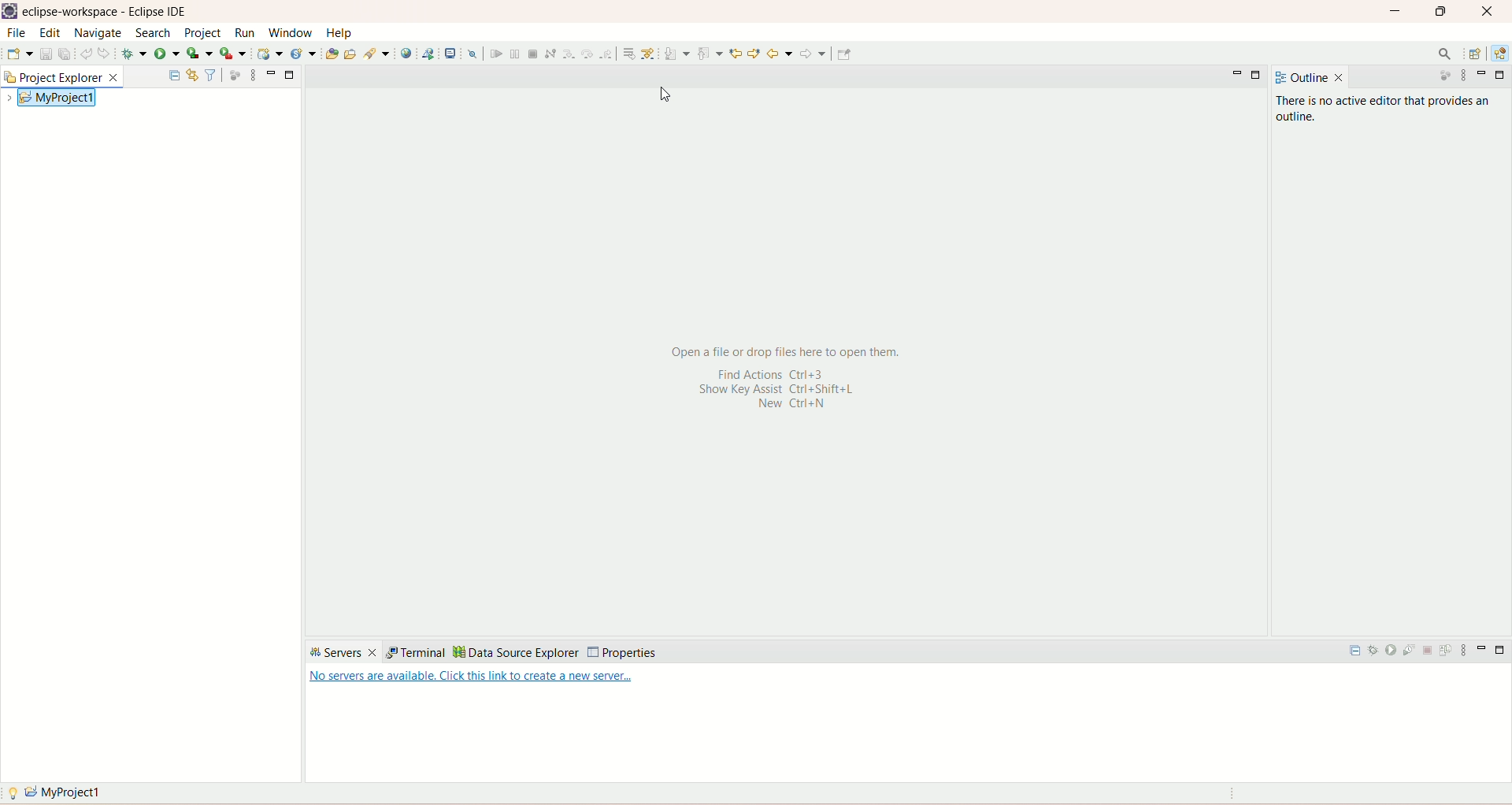 The height and width of the screenshot is (805, 1512). What do you see at coordinates (678, 55) in the screenshot?
I see `next annotation` at bounding box center [678, 55].